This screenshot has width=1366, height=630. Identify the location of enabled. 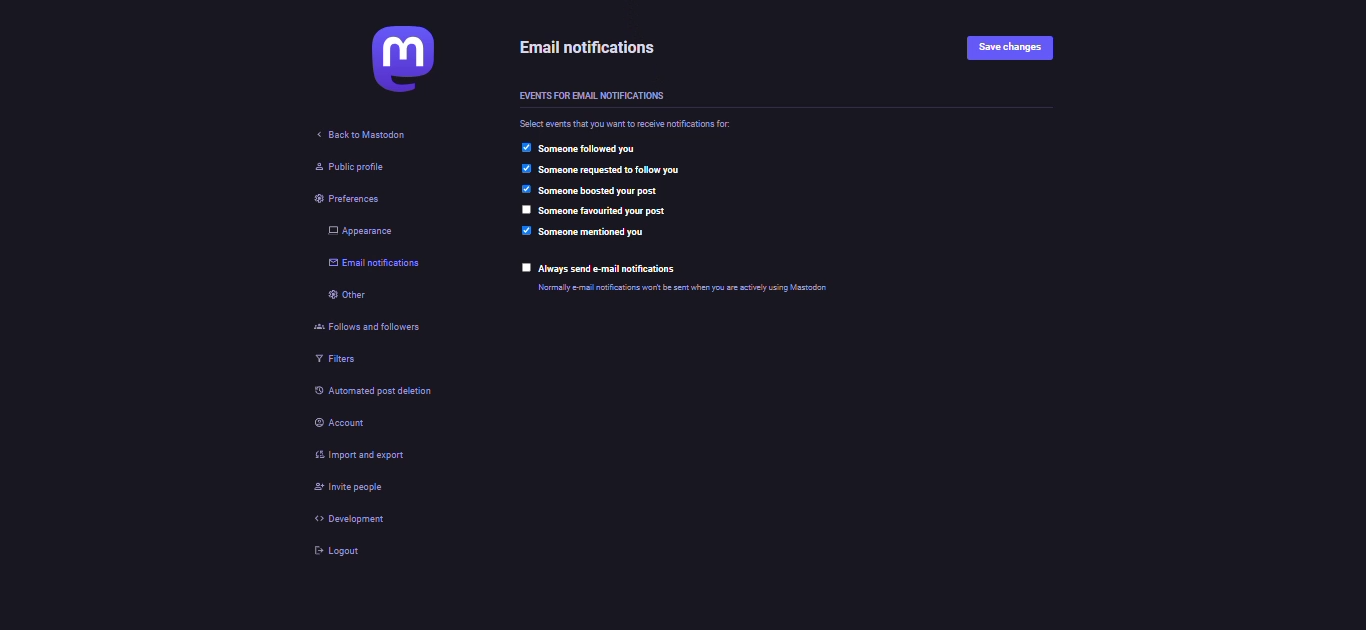
(526, 188).